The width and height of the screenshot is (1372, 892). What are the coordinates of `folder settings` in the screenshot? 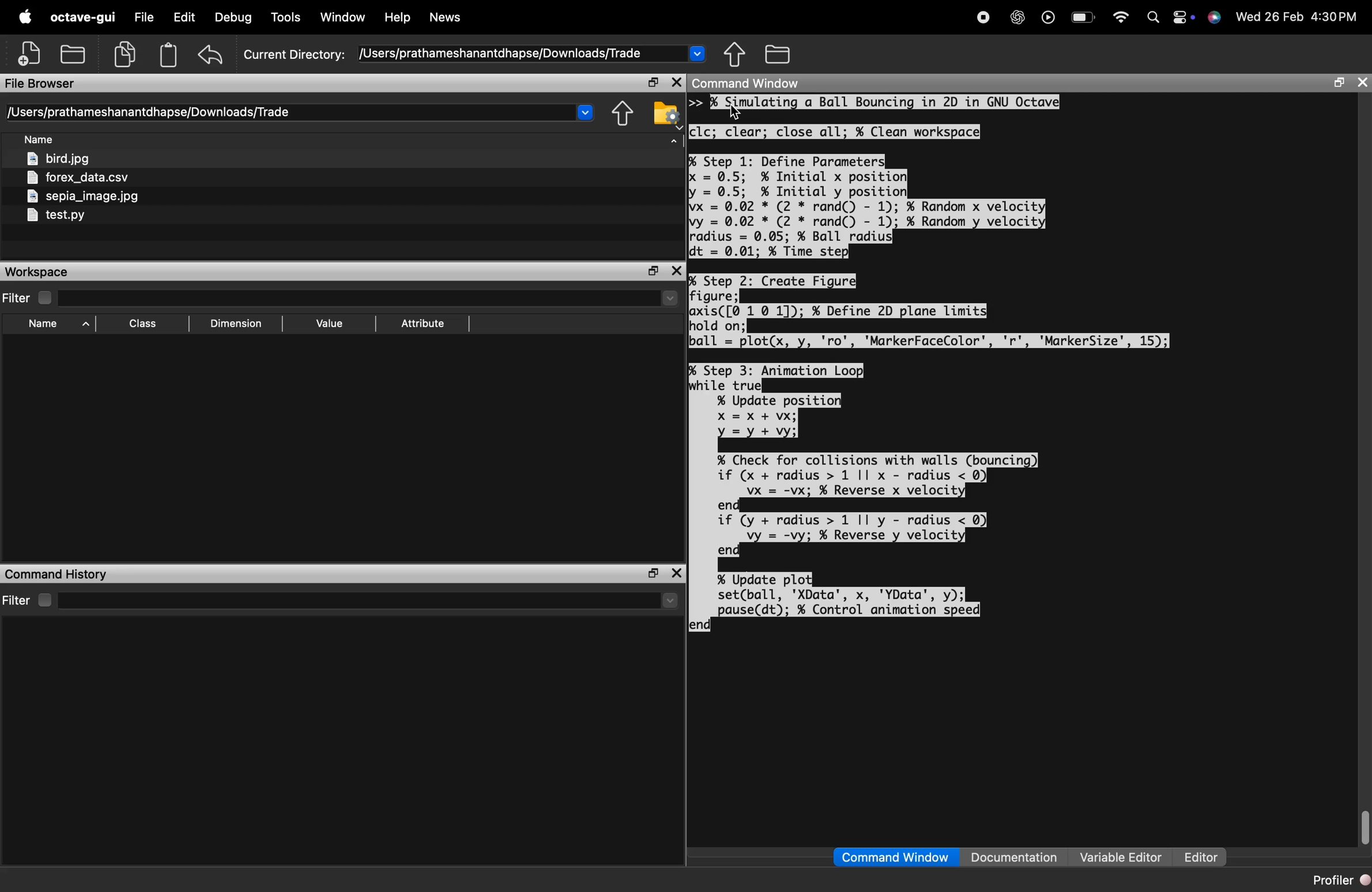 It's located at (666, 114).